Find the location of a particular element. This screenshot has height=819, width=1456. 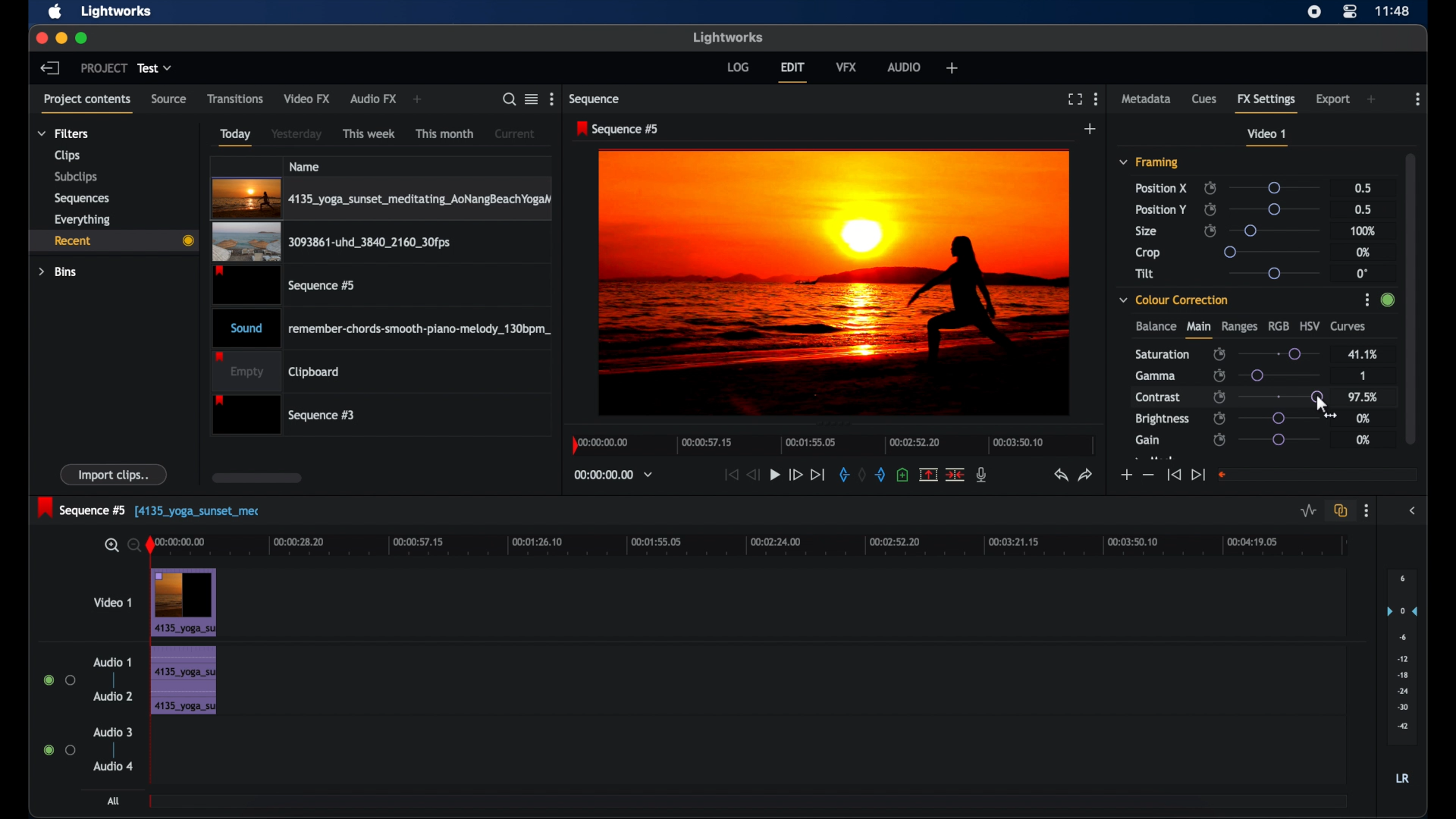

0% is located at coordinates (1364, 252).